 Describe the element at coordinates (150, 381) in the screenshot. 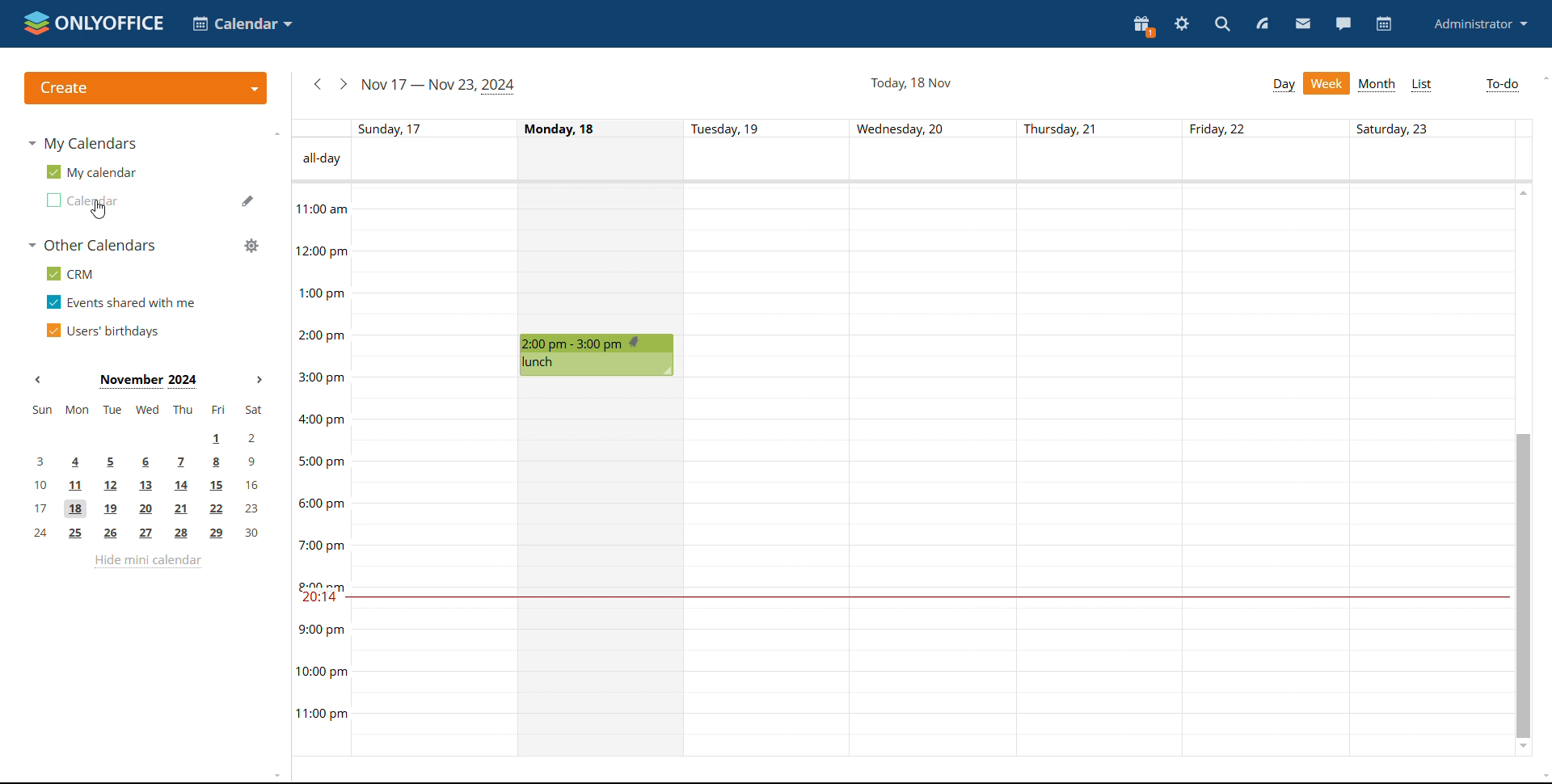

I see `current month` at that location.